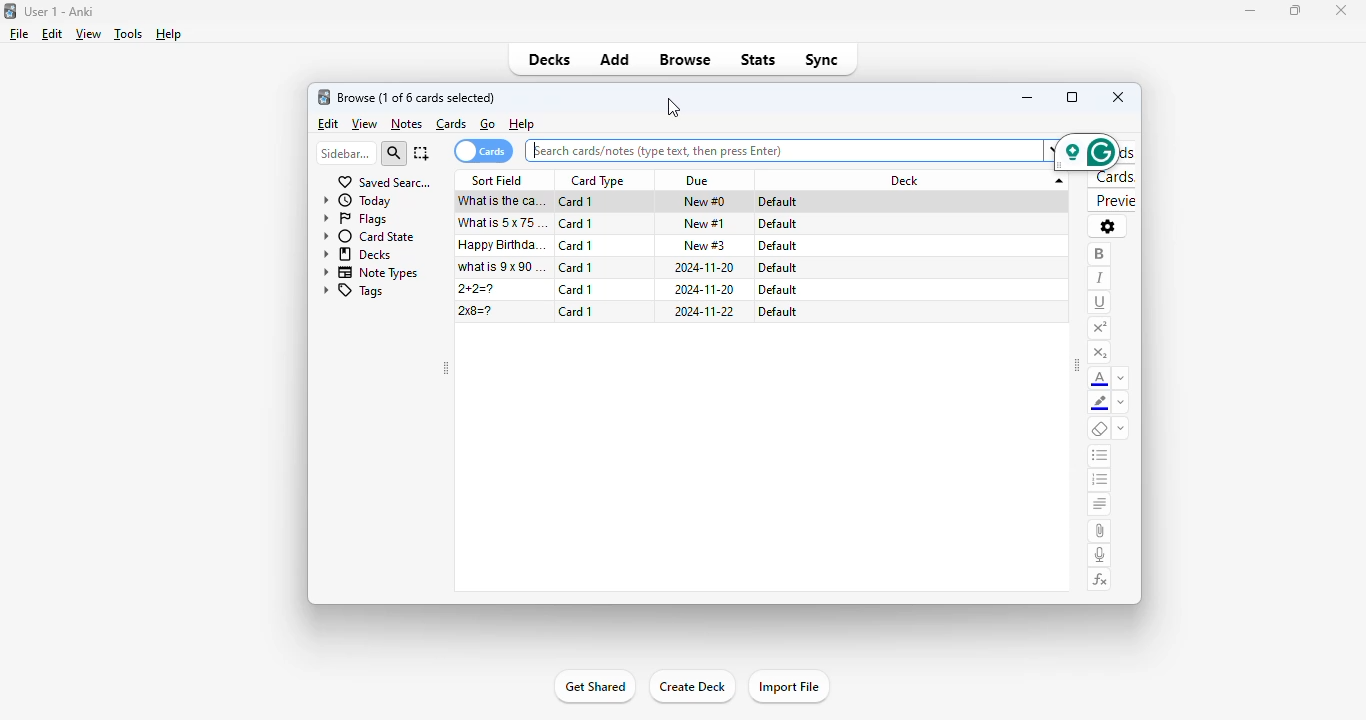 This screenshot has width=1366, height=720. What do you see at coordinates (692, 686) in the screenshot?
I see `create deck` at bounding box center [692, 686].